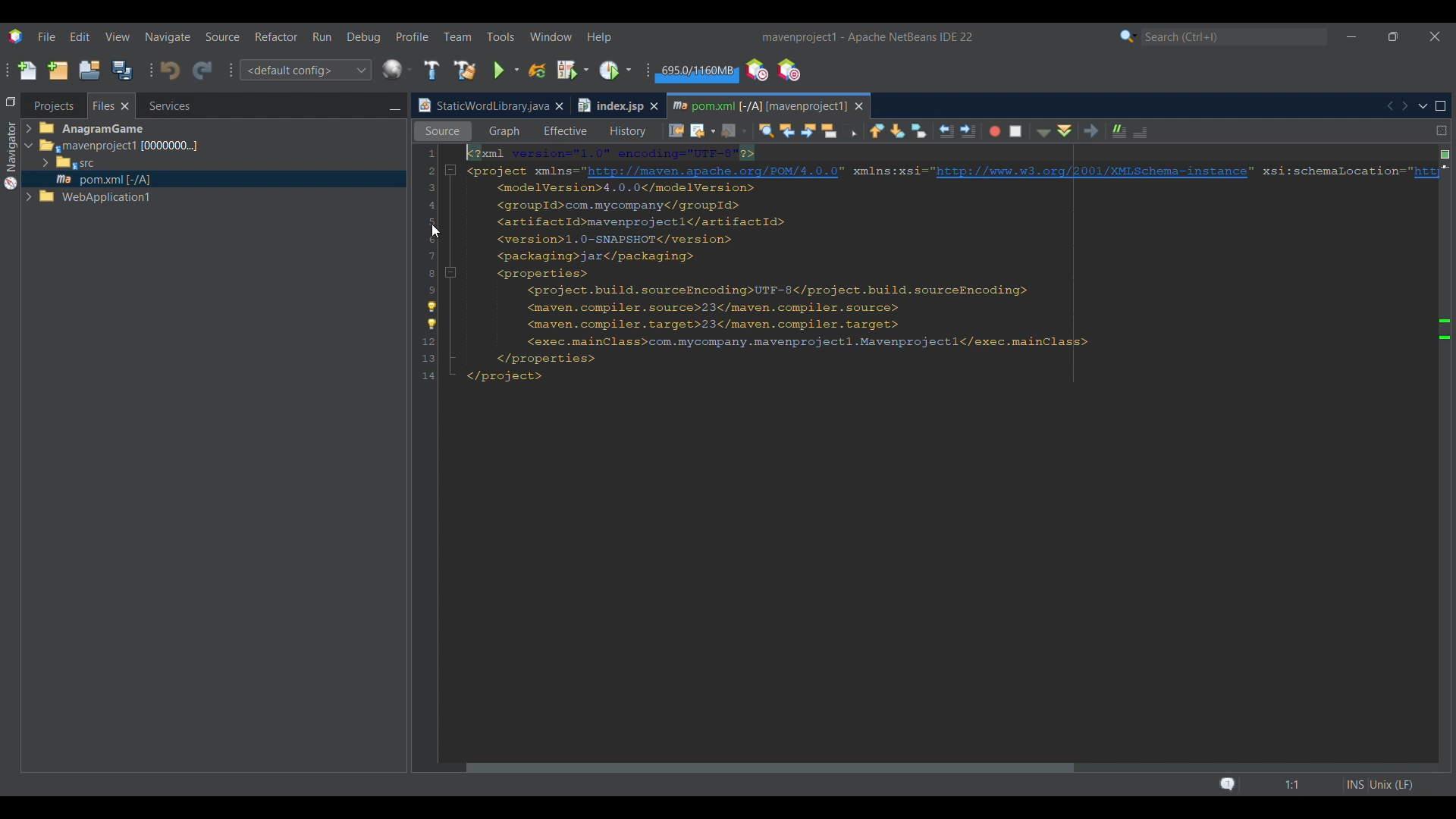  Describe the element at coordinates (1441, 106) in the screenshot. I see `Maximize` at that location.